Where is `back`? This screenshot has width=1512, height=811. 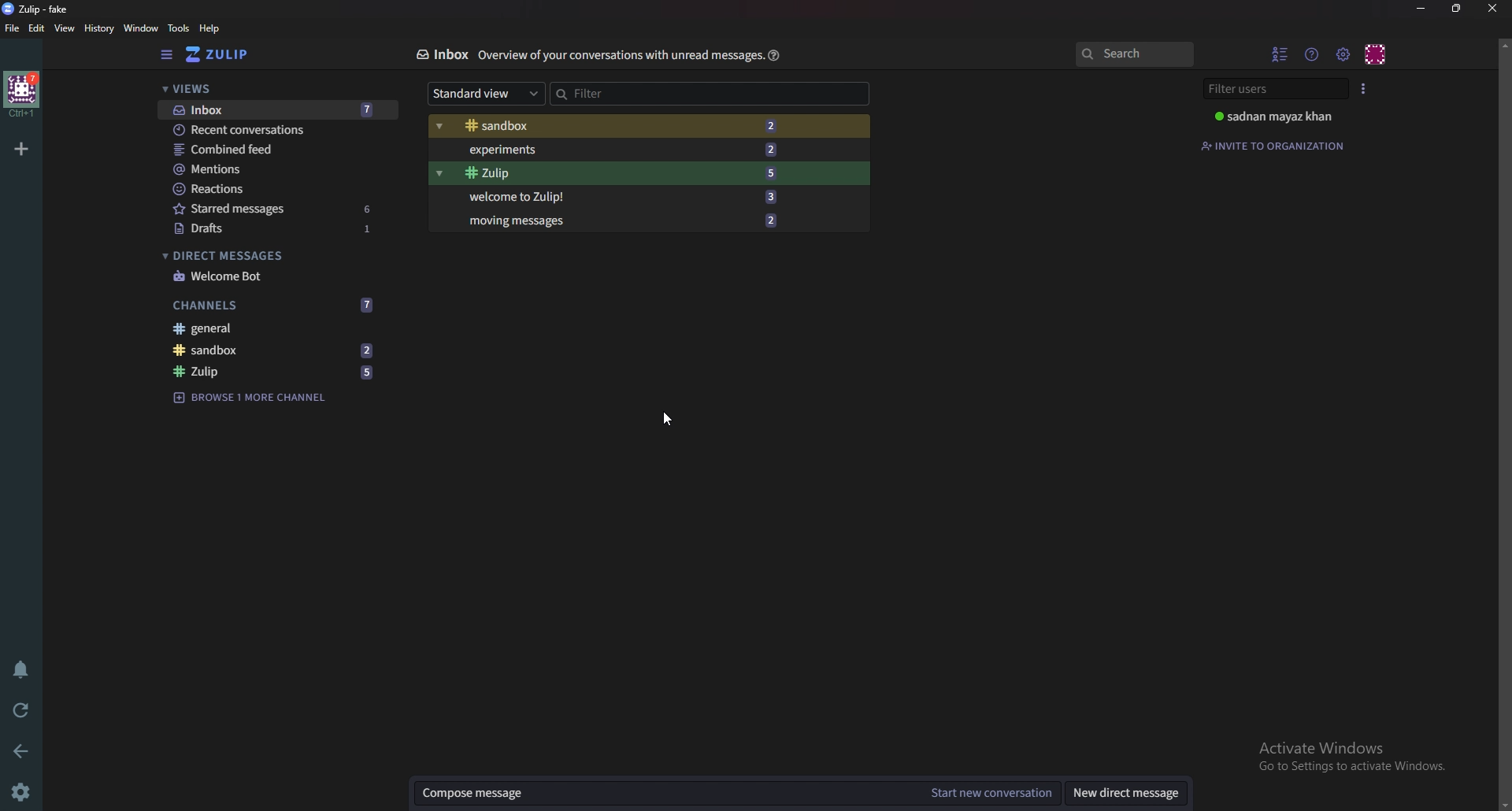
back is located at coordinates (25, 749).